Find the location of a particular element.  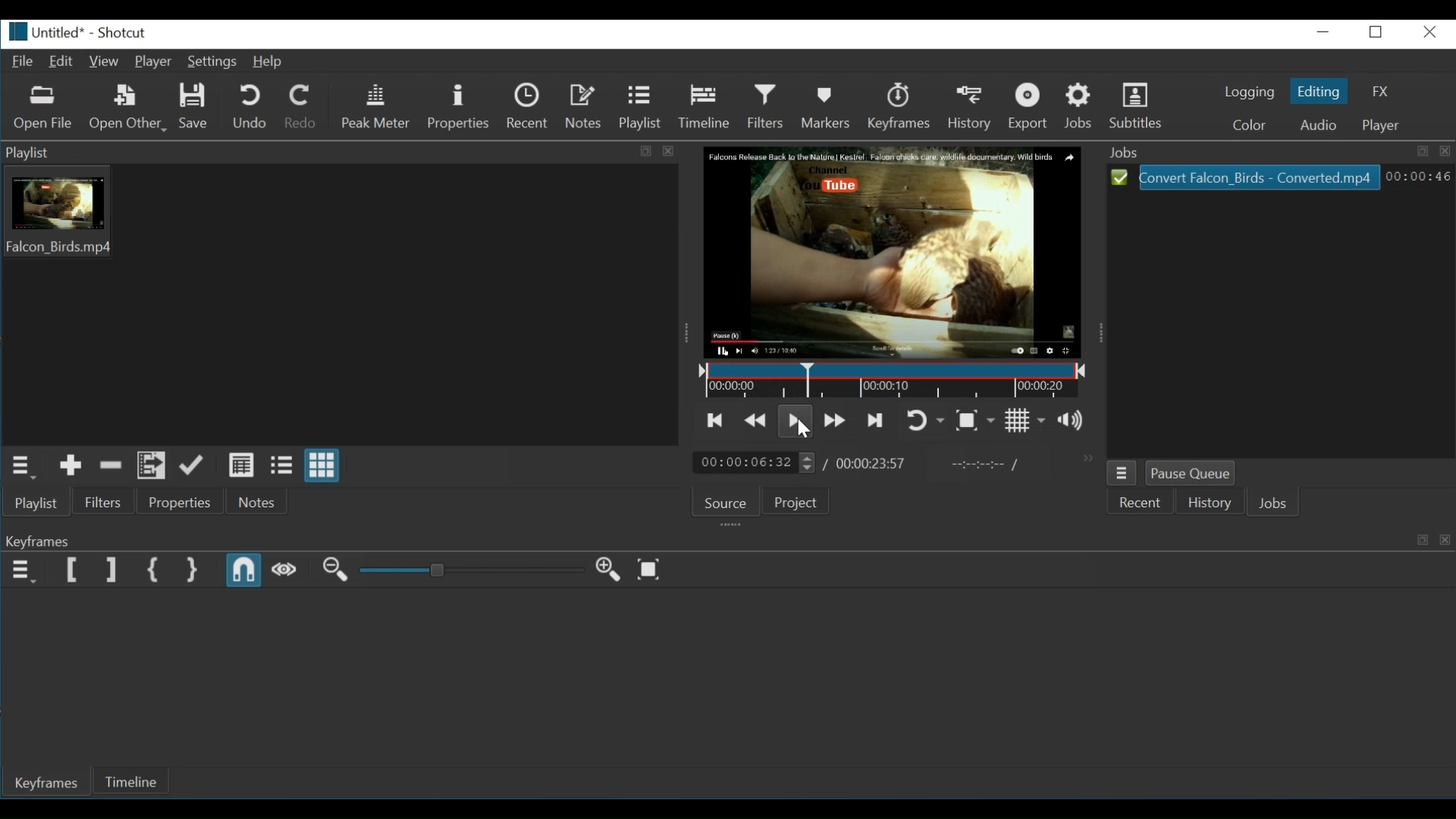

Source is located at coordinates (727, 503).